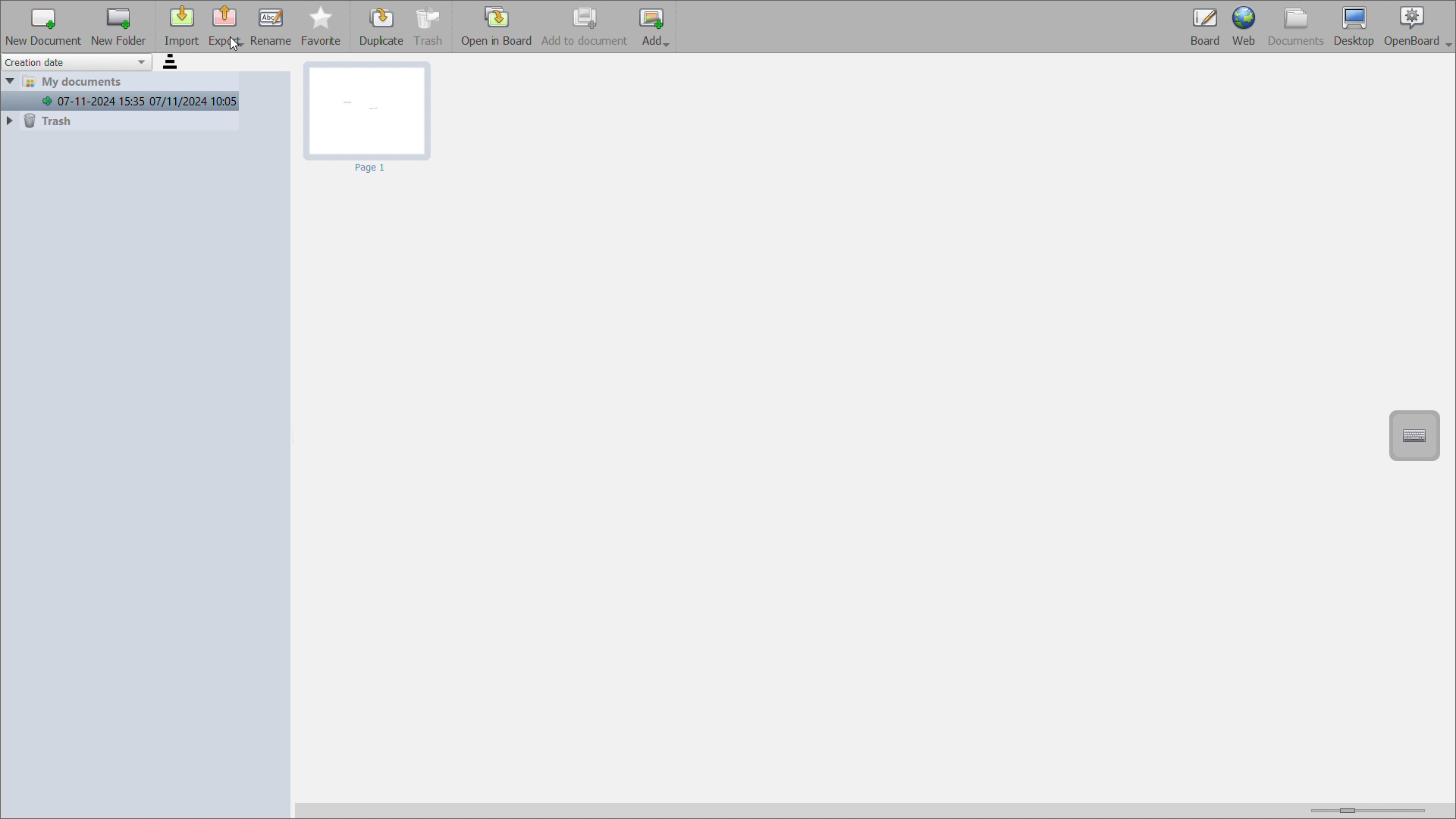 The height and width of the screenshot is (819, 1456). Describe the element at coordinates (1418, 27) in the screenshot. I see `openboard settings` at that location.